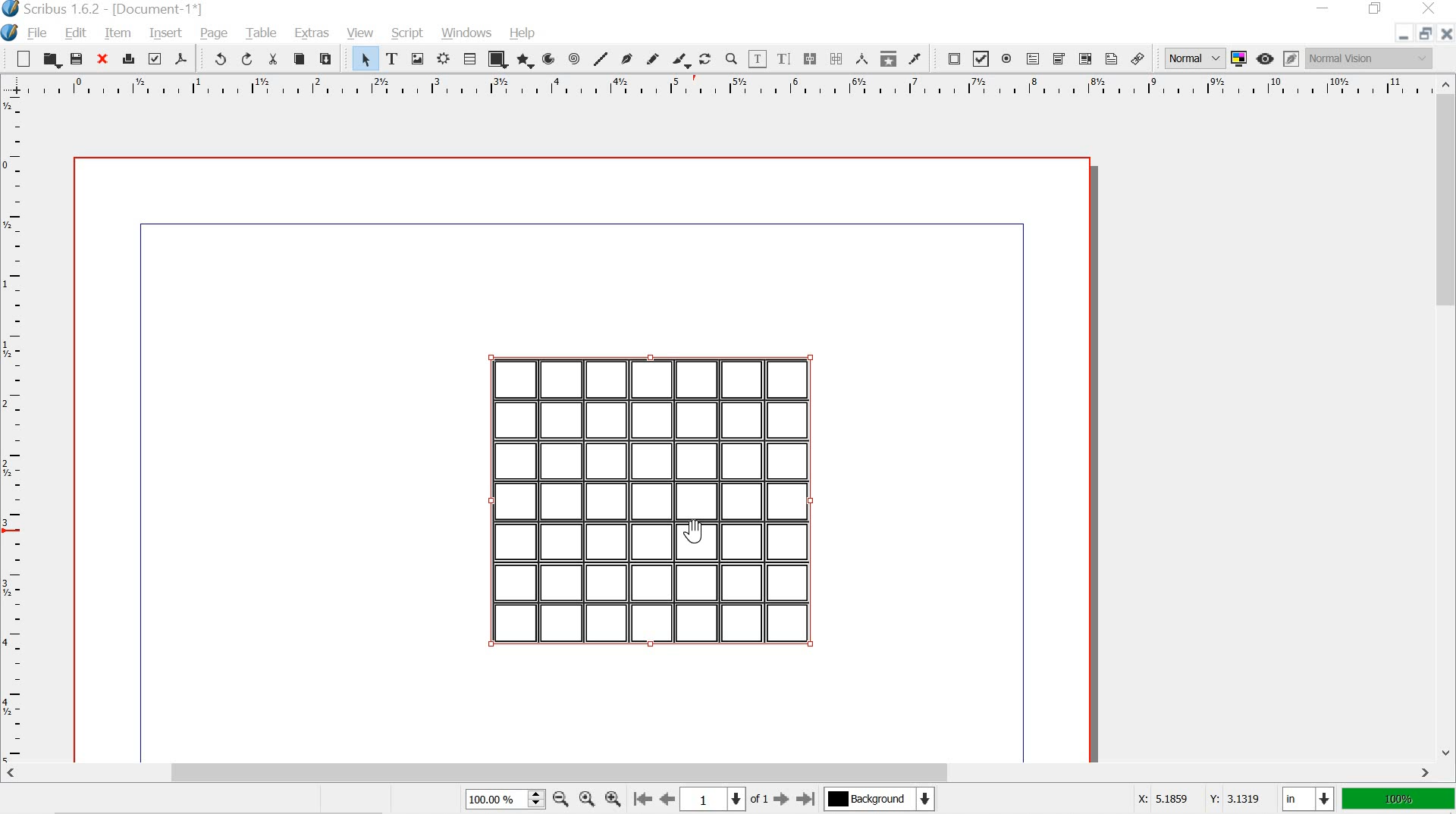 This screenshot has height=814, width=1456. I want to click on render frame, so click(442, 60).